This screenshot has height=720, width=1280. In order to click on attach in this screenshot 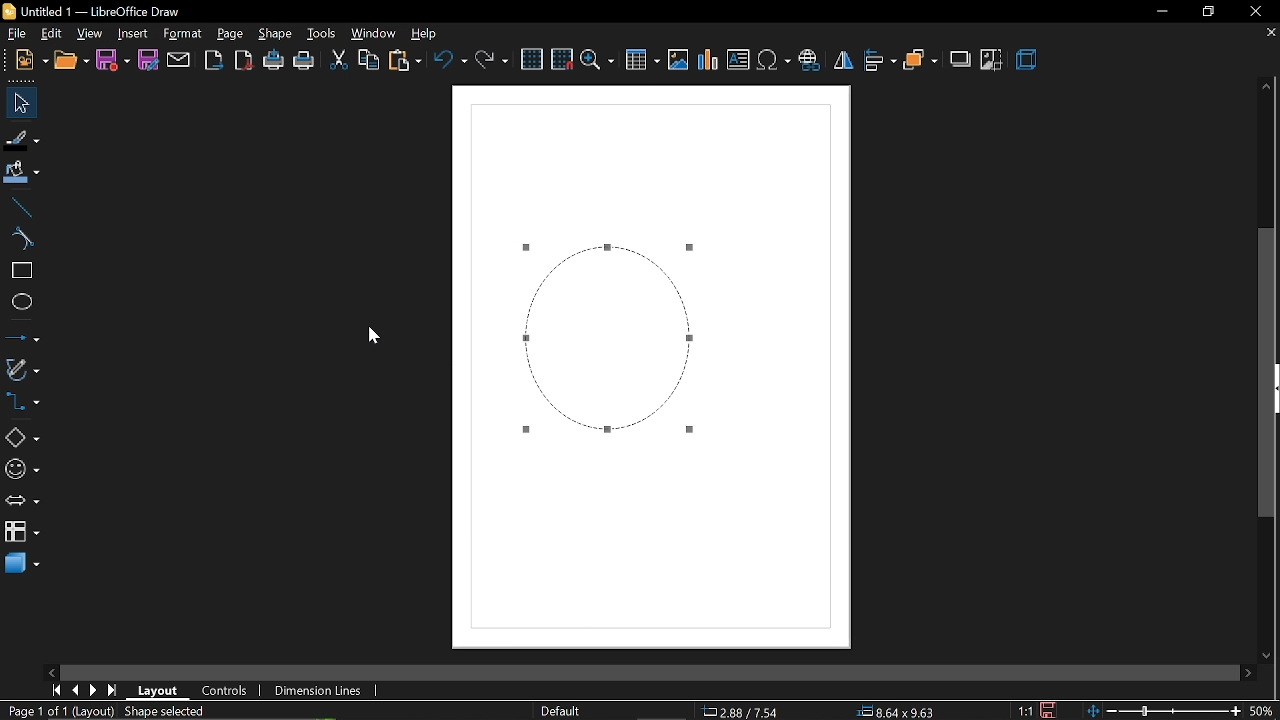, I will do `click(180, 60)`.